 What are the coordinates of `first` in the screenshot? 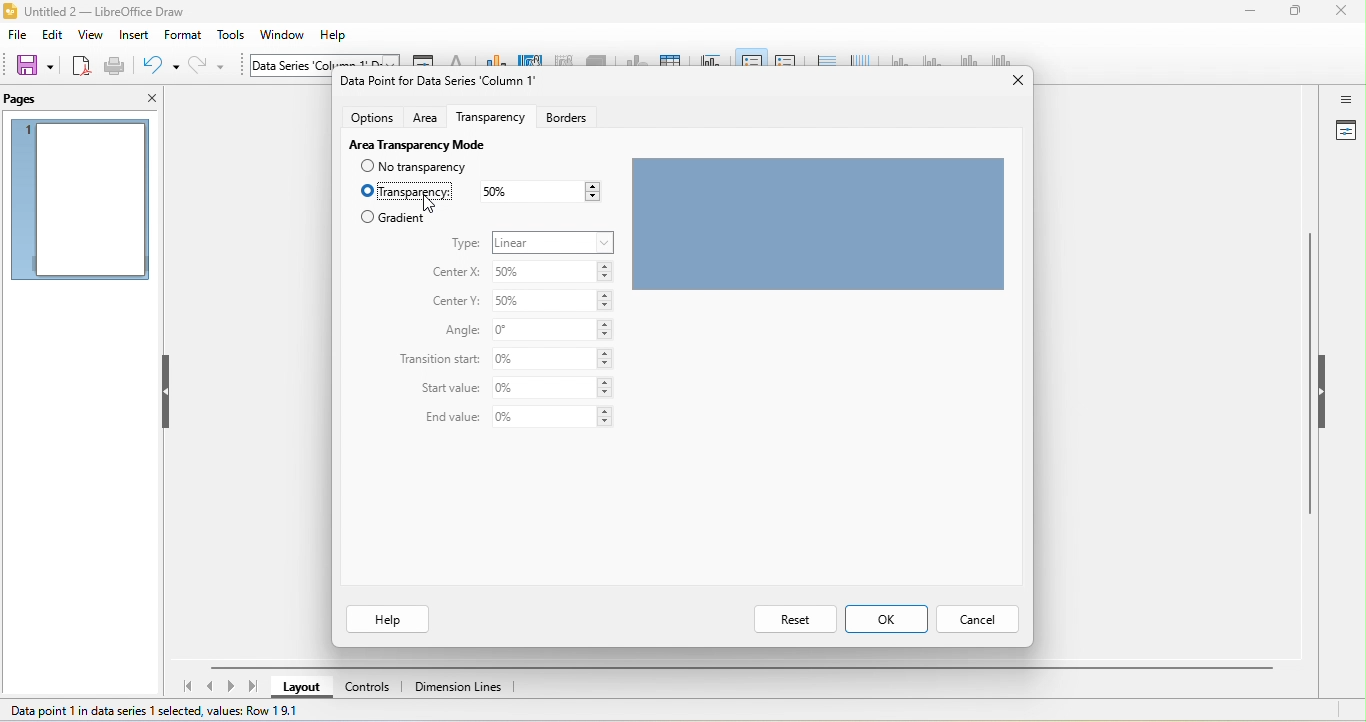 It's located at (184, 687).